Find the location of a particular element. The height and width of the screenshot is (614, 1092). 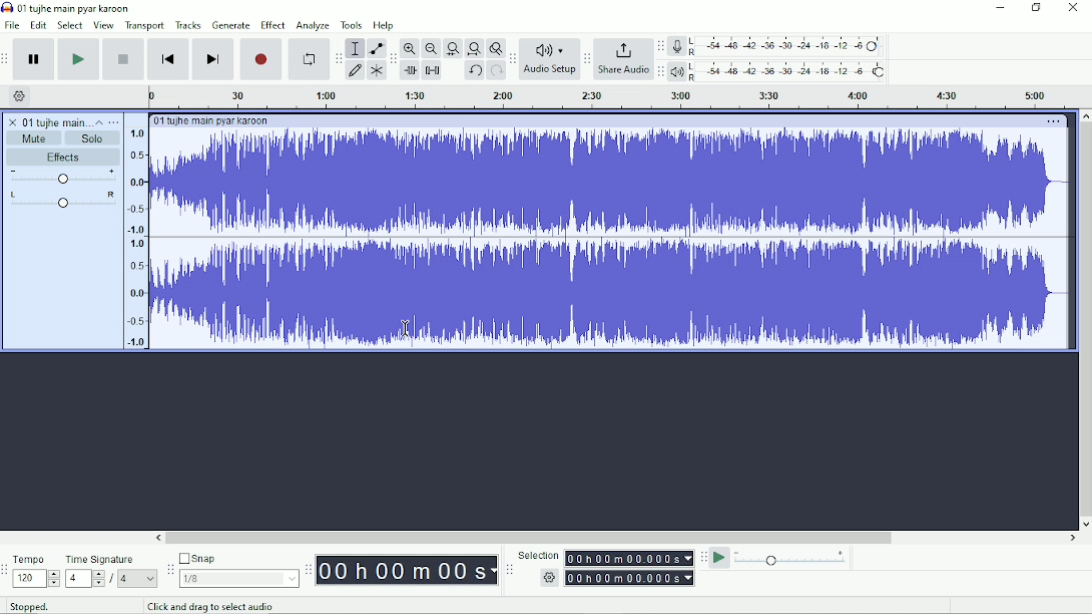

Silence audio selection is located at coordinates (433, 70).